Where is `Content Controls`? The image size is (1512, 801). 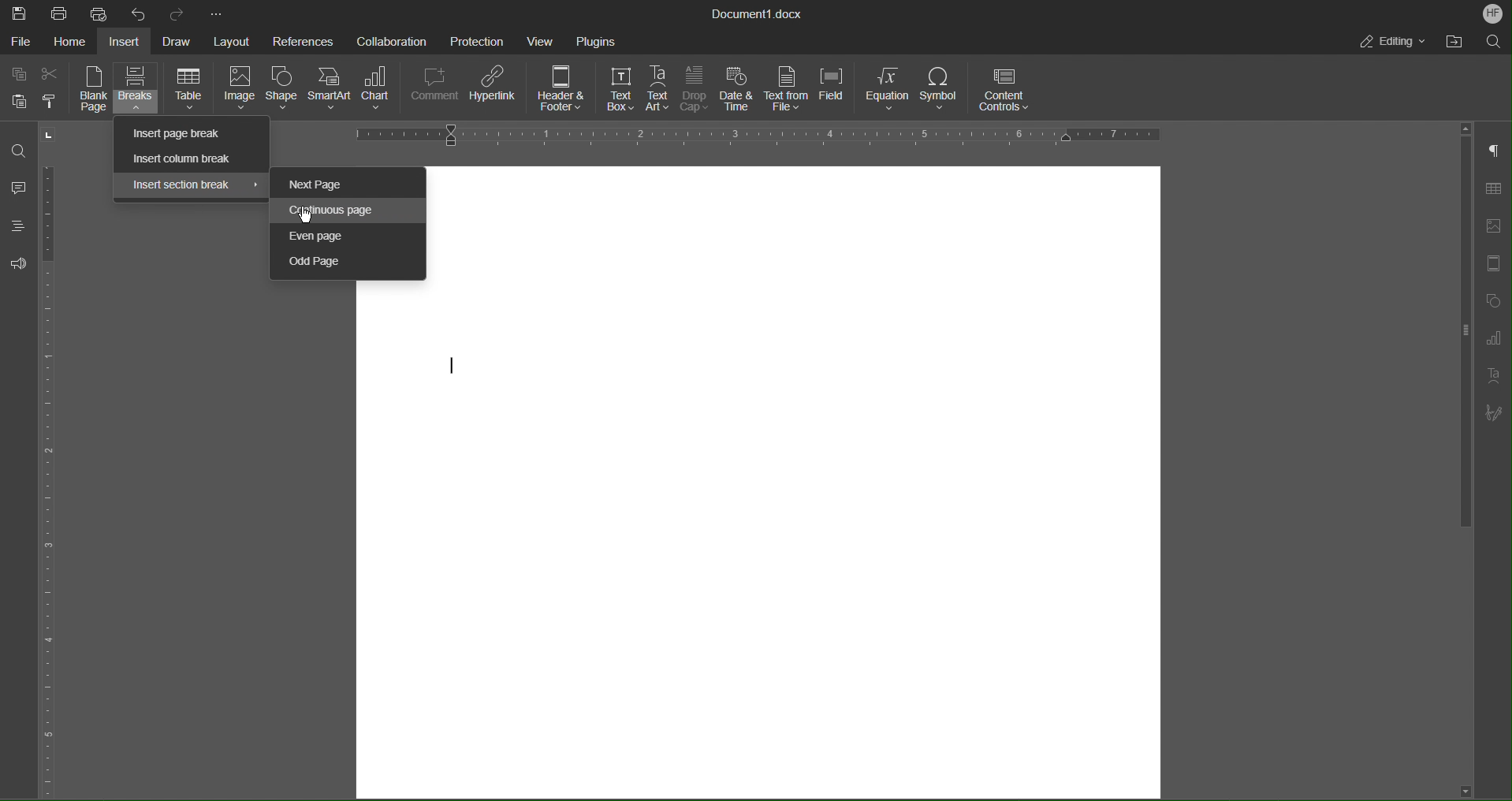 Content Controls is located at coordinates (1006, 89).